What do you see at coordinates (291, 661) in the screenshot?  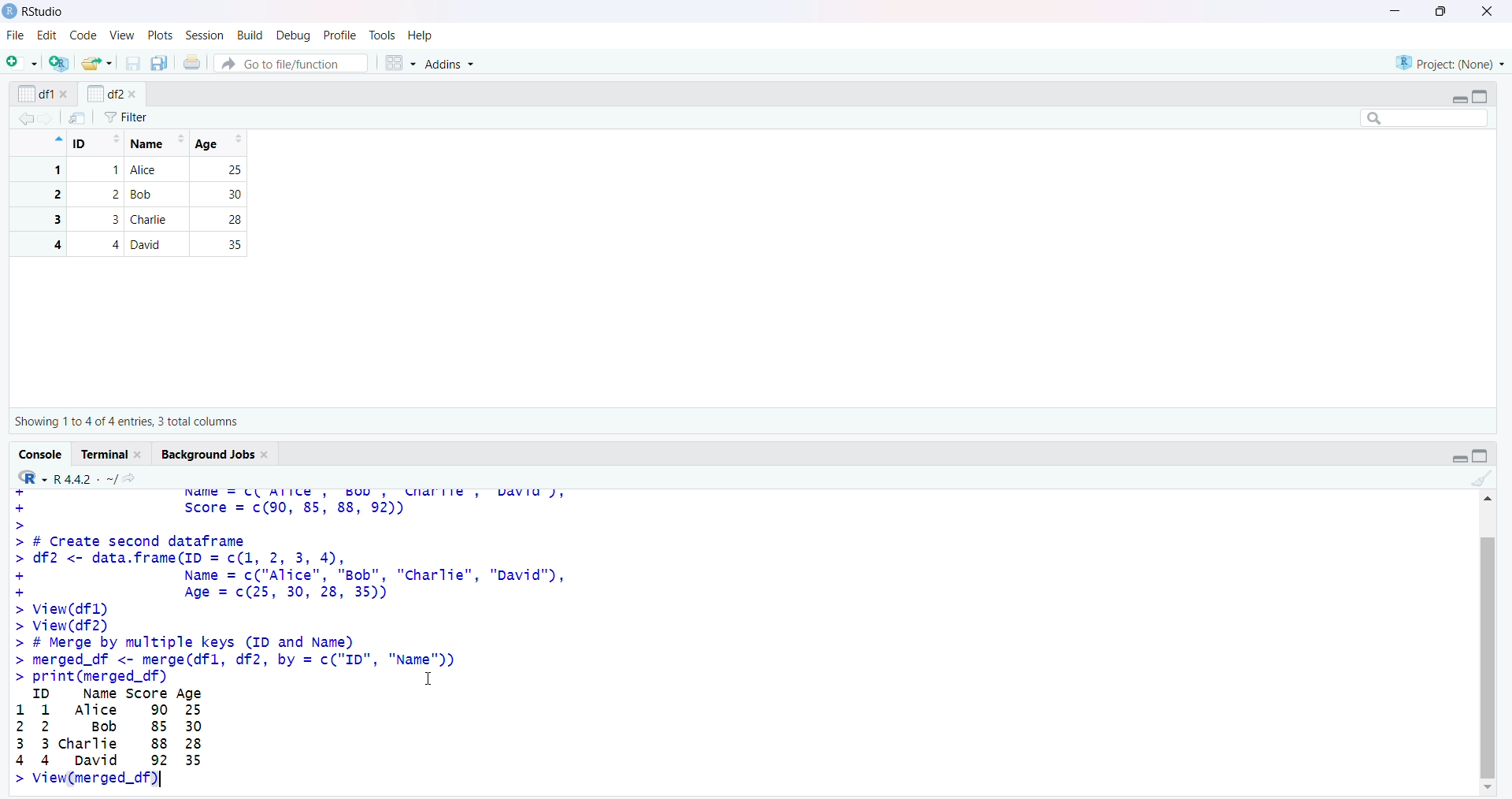 I see `> # Create second dataframe> df2 <- data.frame(ID = c(1, 2, 3, 4),+ Name = c("Alice", "Bob", "Charlie", "David"),+ Age = c(25, 30, 28, 35))> View(dfl)> View(df2)> # Merge by multiple keys (ID and Name)> merged_df <- merge(dfl, df2, by = c("ID", "Name"))> print(merged_df) 1ID Name Score Age1 1 Alice 90 252 2 Bob 85 303 3 charlie 88 284 4 David 92 35> View(merged_df)` at bounding box center [291, 661].